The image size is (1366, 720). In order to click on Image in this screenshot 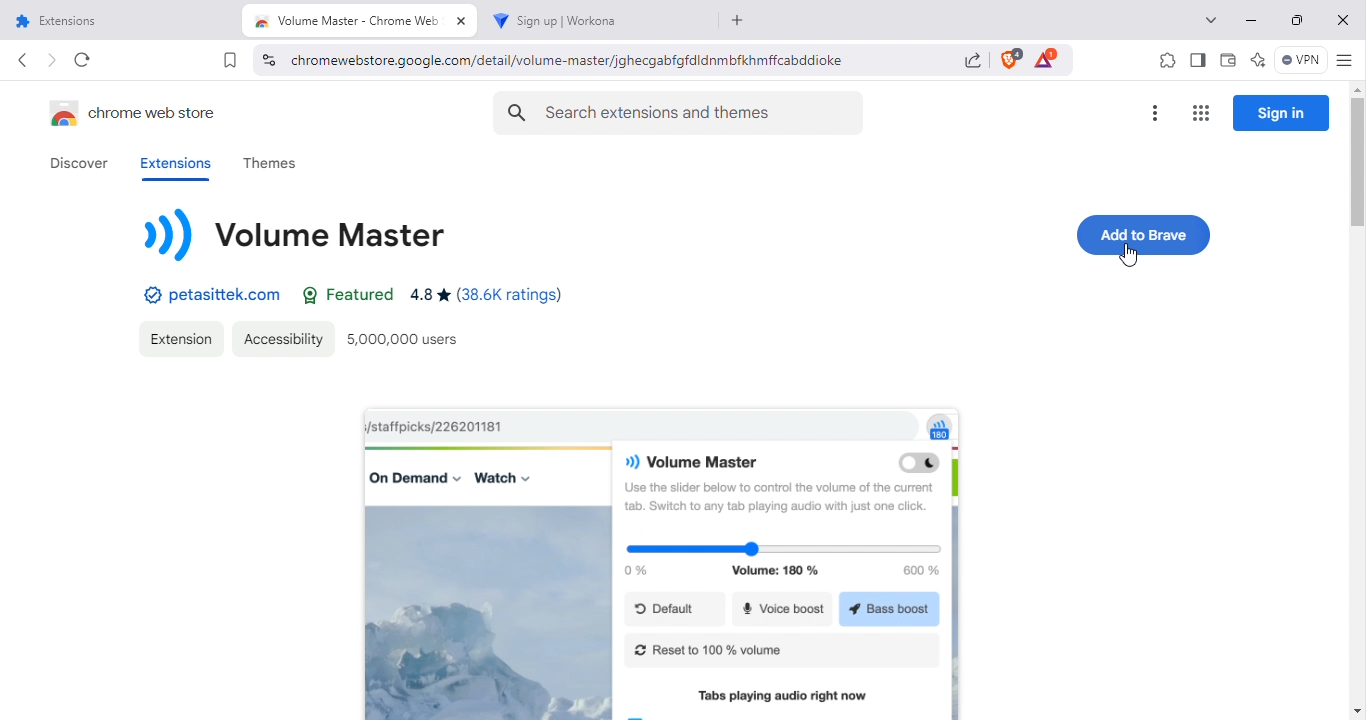, I will do `click(661, 560)`.